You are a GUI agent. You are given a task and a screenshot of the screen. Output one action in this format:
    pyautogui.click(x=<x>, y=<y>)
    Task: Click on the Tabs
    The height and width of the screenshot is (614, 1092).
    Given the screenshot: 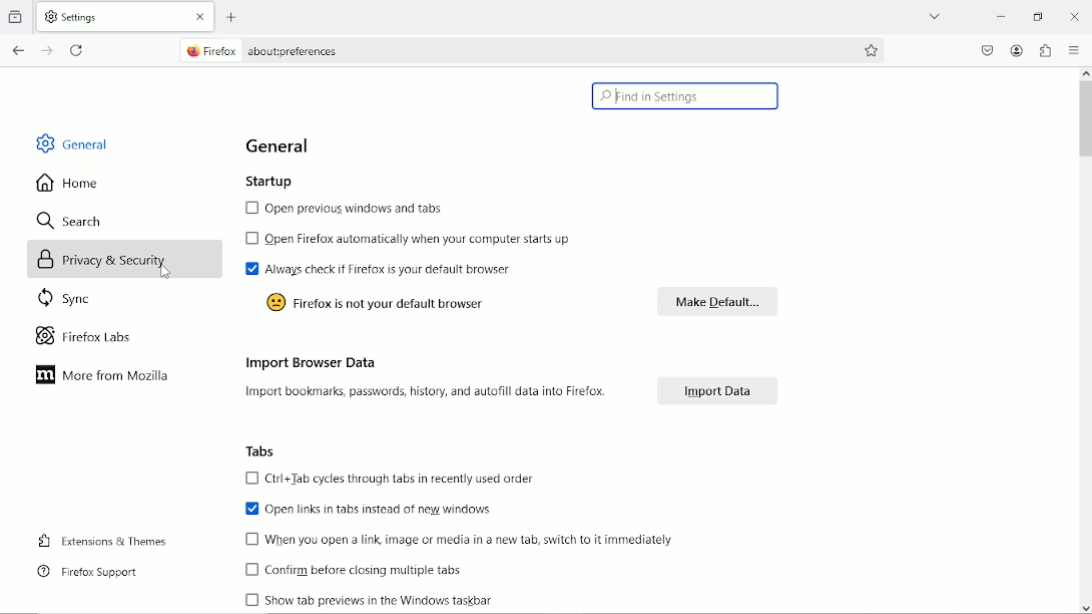 What is the action you would take?
    pyautogui.click(x=255, y=450)
    